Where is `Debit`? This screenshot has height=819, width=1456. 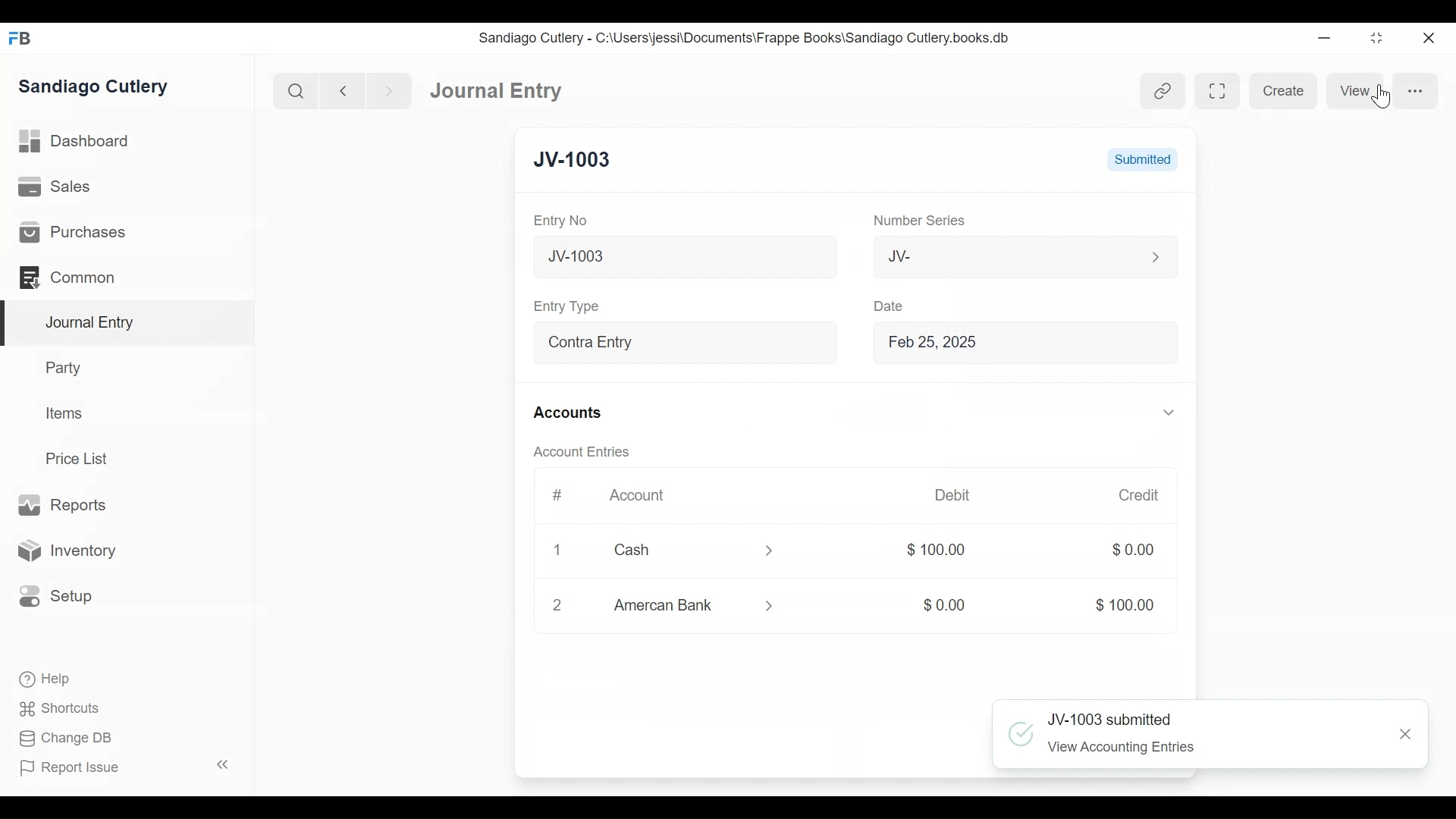 Debit is located at coordinates (951, 495).